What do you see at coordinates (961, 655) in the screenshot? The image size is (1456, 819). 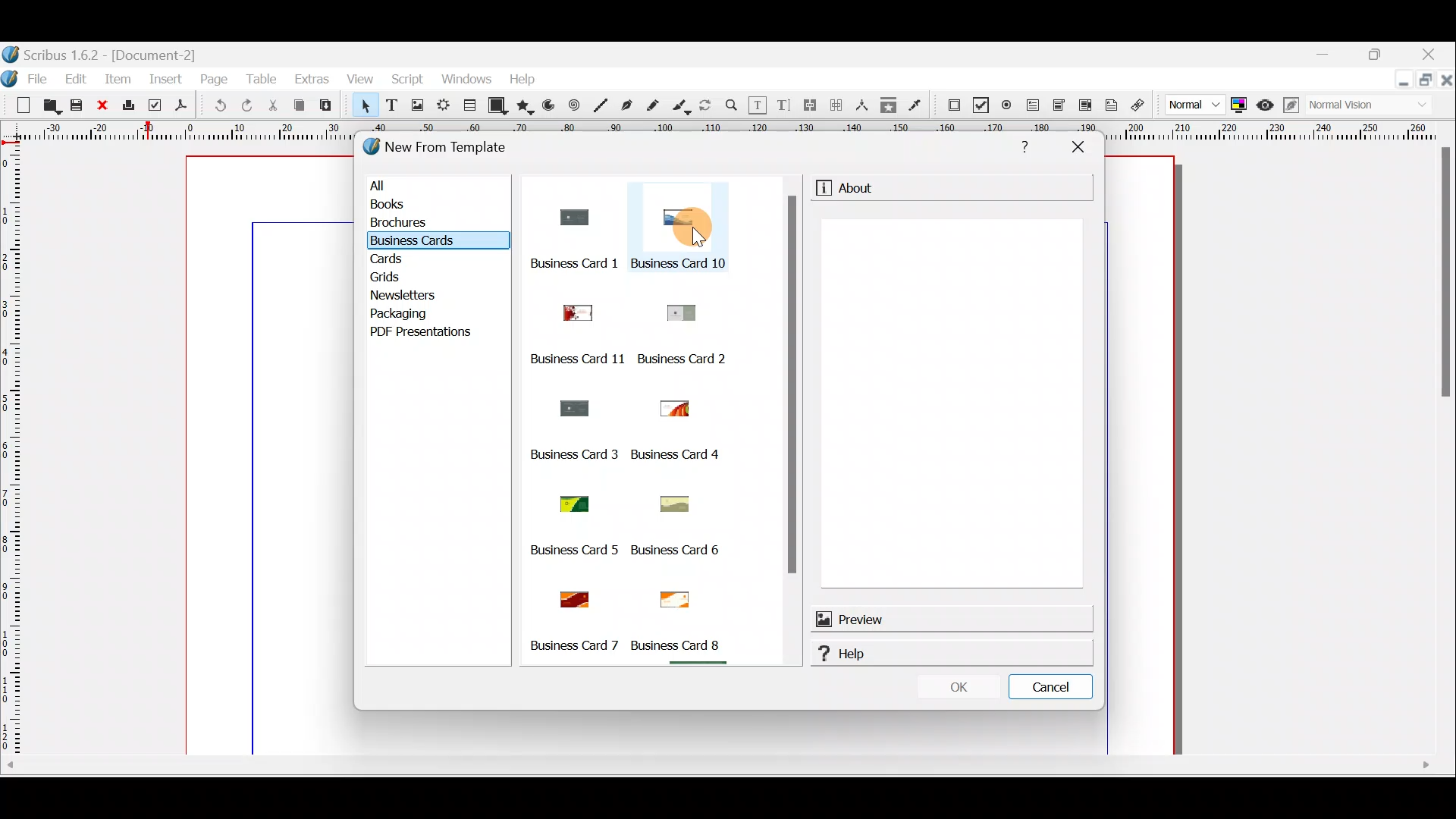 I see `Help` at bounding box center [961, 655].